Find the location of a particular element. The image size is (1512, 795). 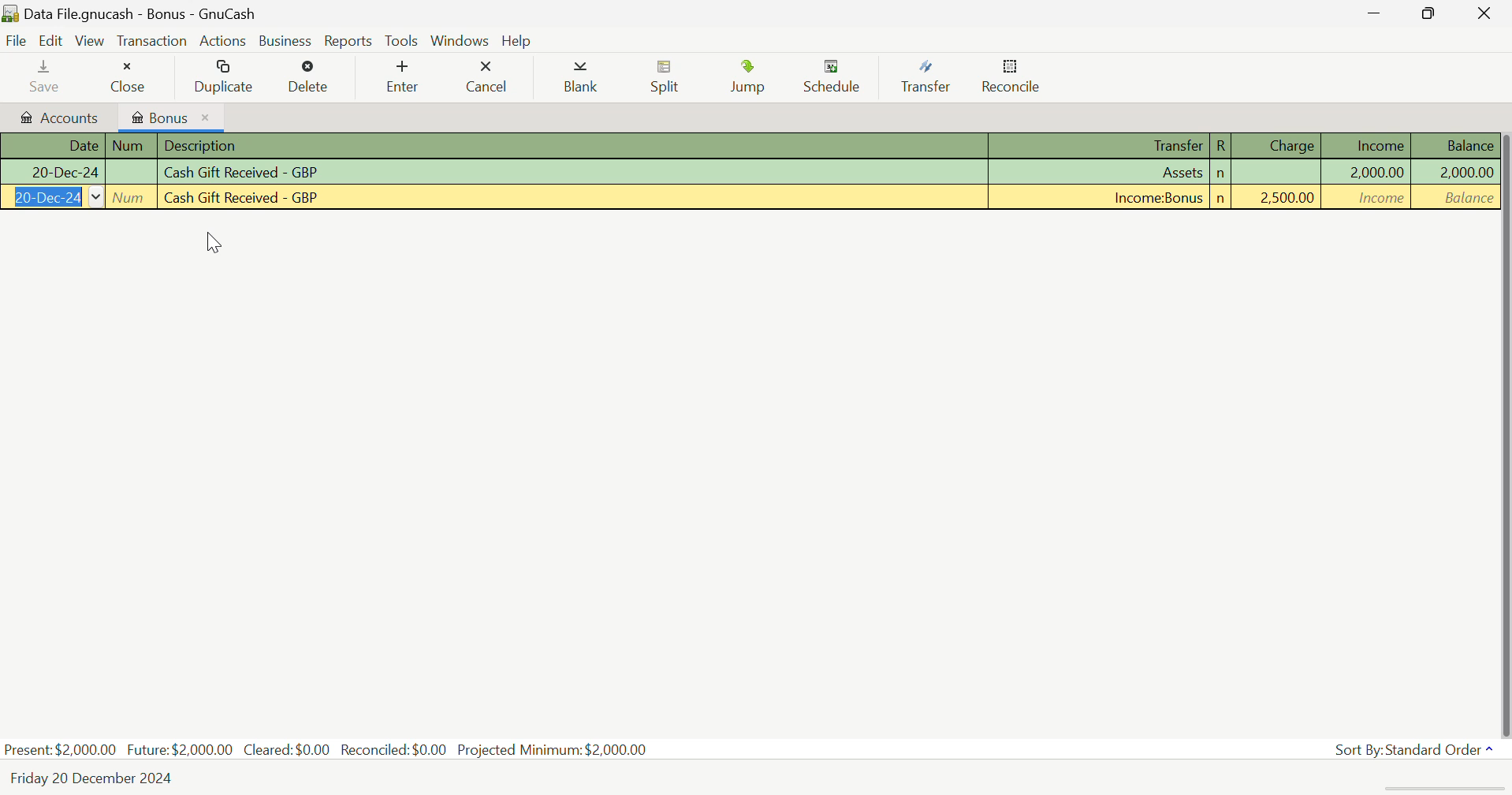

Date is located at coordinates (52, 174).